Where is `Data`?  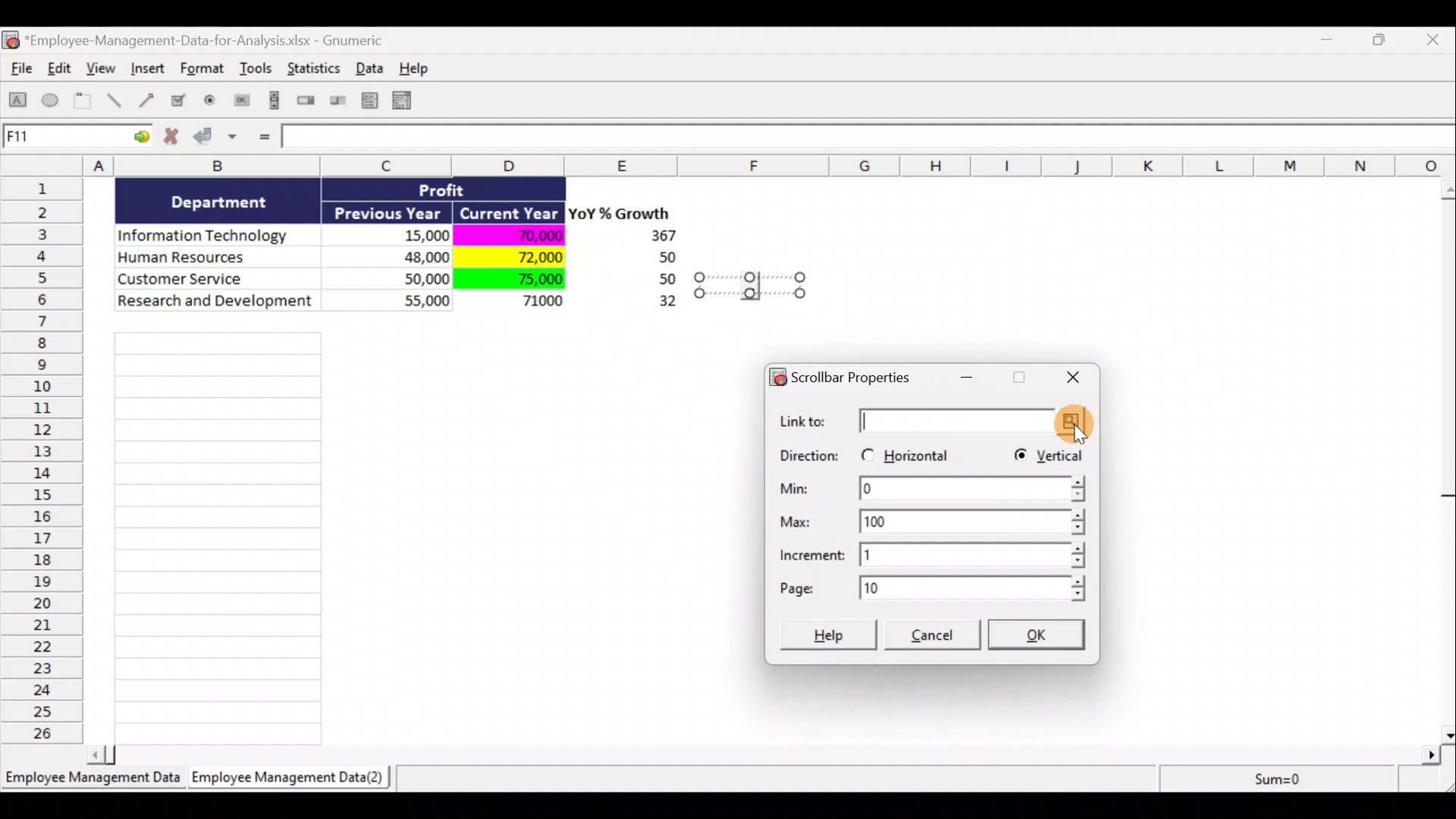
Data is located at coordinates (406, 256).